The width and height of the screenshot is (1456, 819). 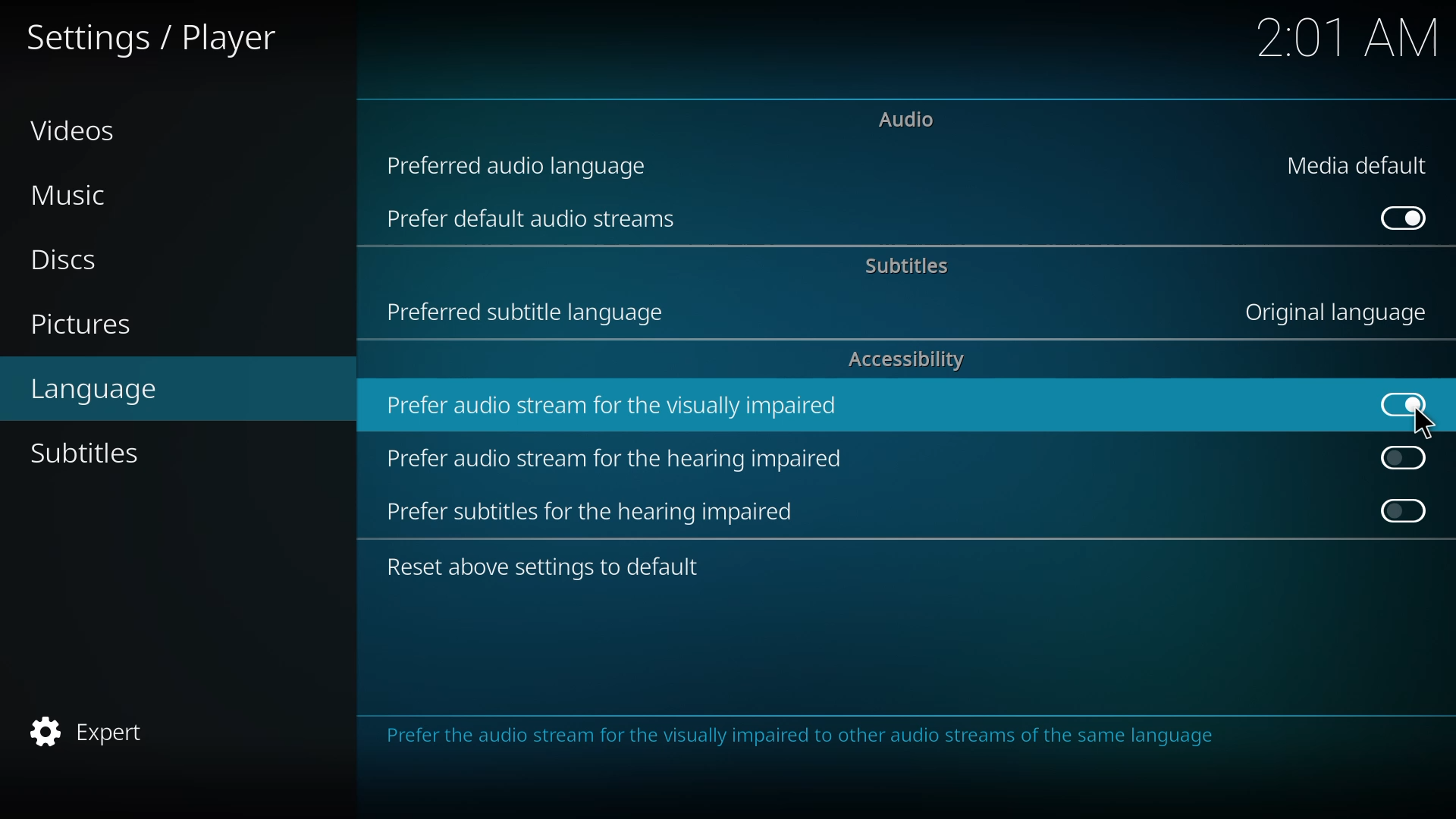 What do you see at coordinates (534, 221) in the screenshot?
I see `prefer default audio` at bounding box center [534, 221].